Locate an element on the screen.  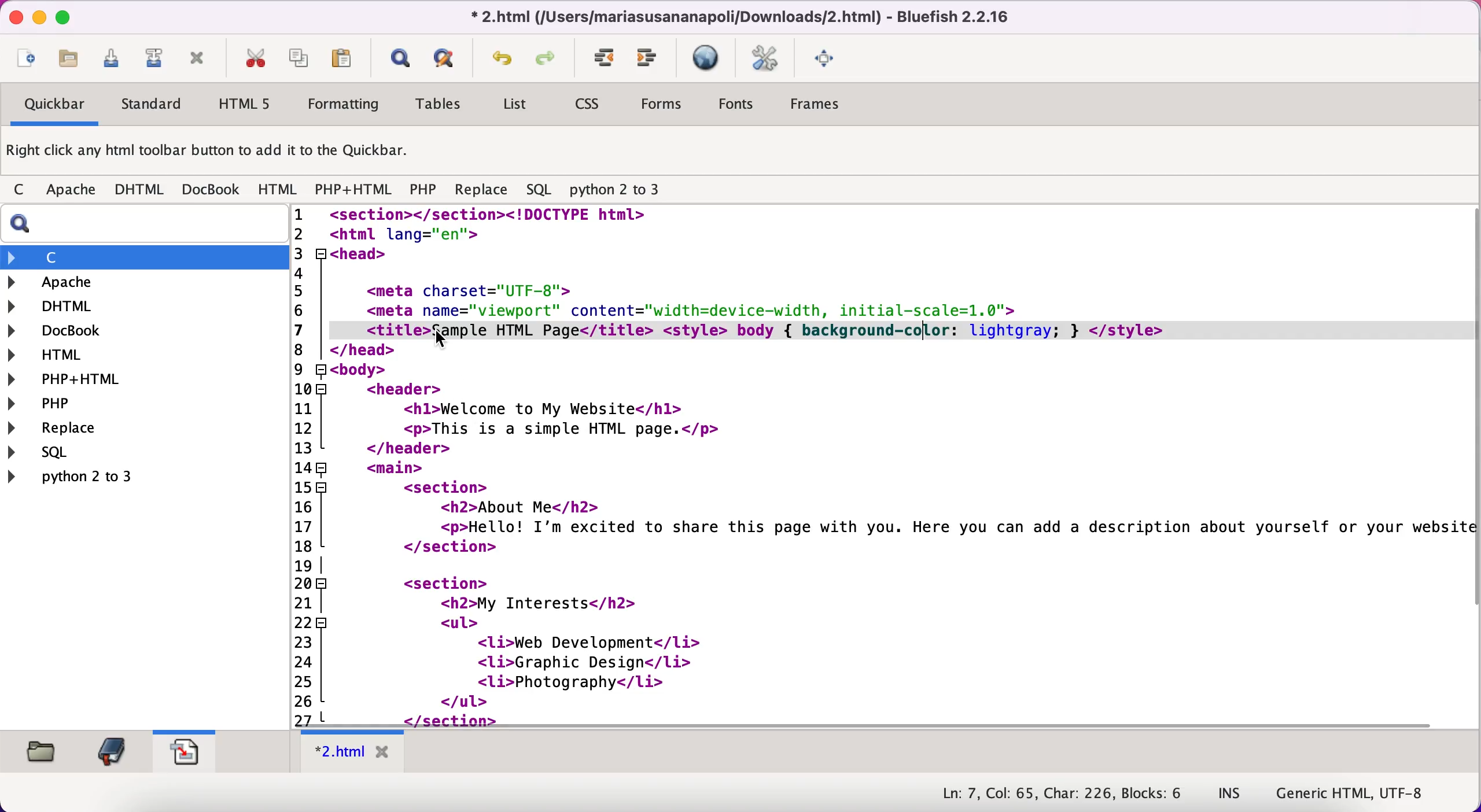
right click any html toolbar button to add it to the quickbar. is located at coordinates (210, 153).